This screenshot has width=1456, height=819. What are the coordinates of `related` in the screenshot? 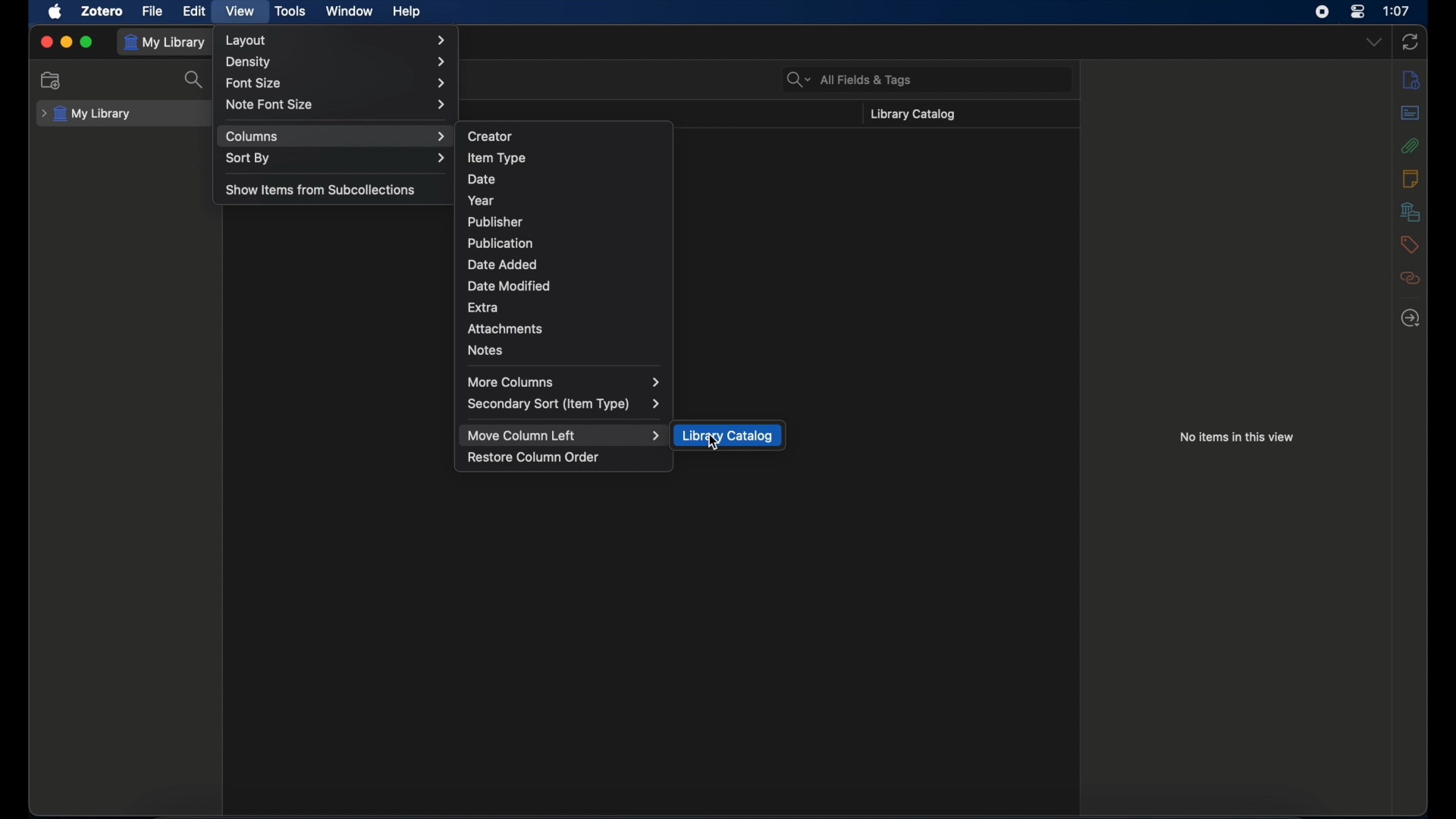 It's located at (1410, 278).